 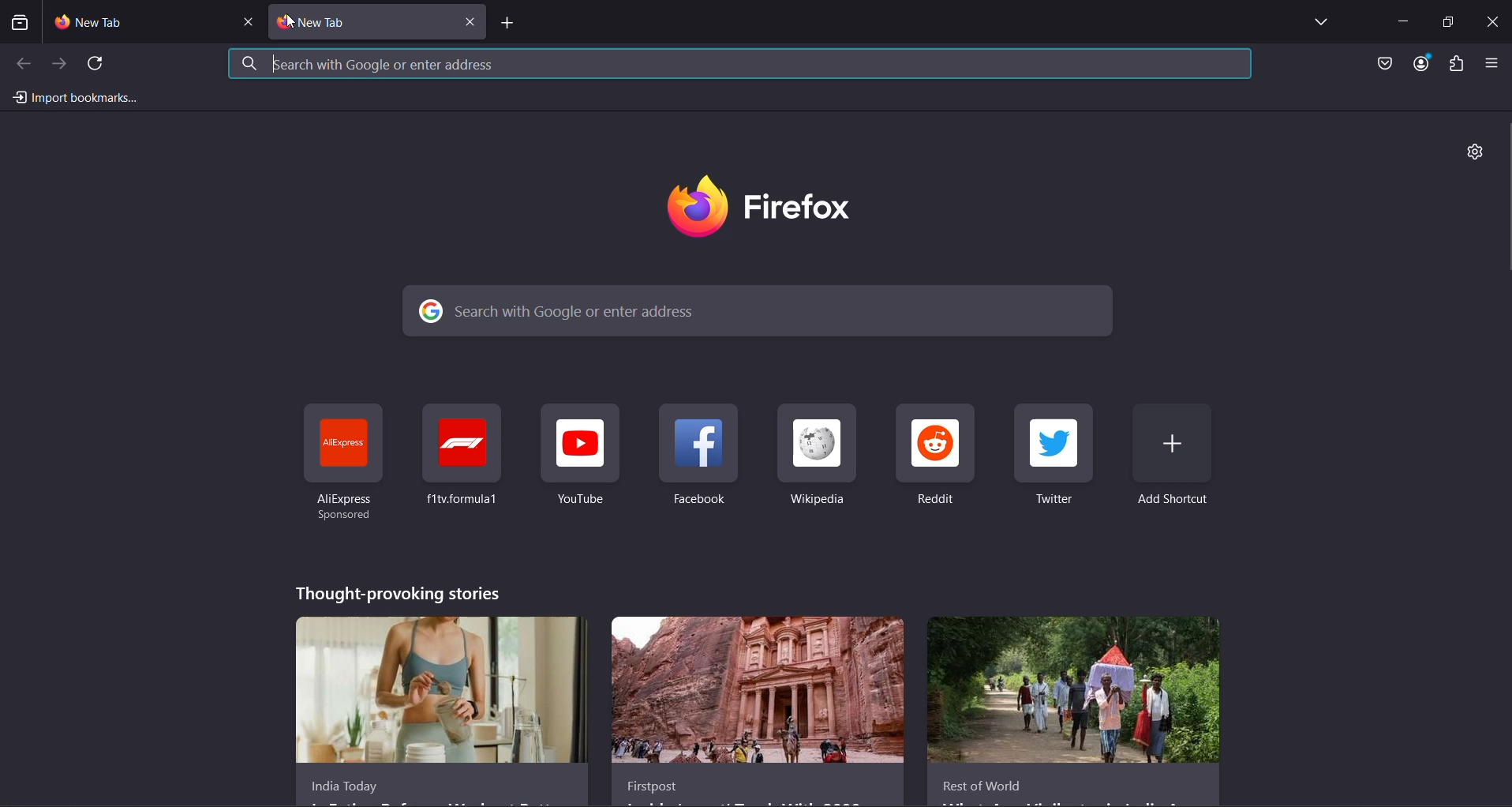 I want to click on account, so click(x=1421, y=65).